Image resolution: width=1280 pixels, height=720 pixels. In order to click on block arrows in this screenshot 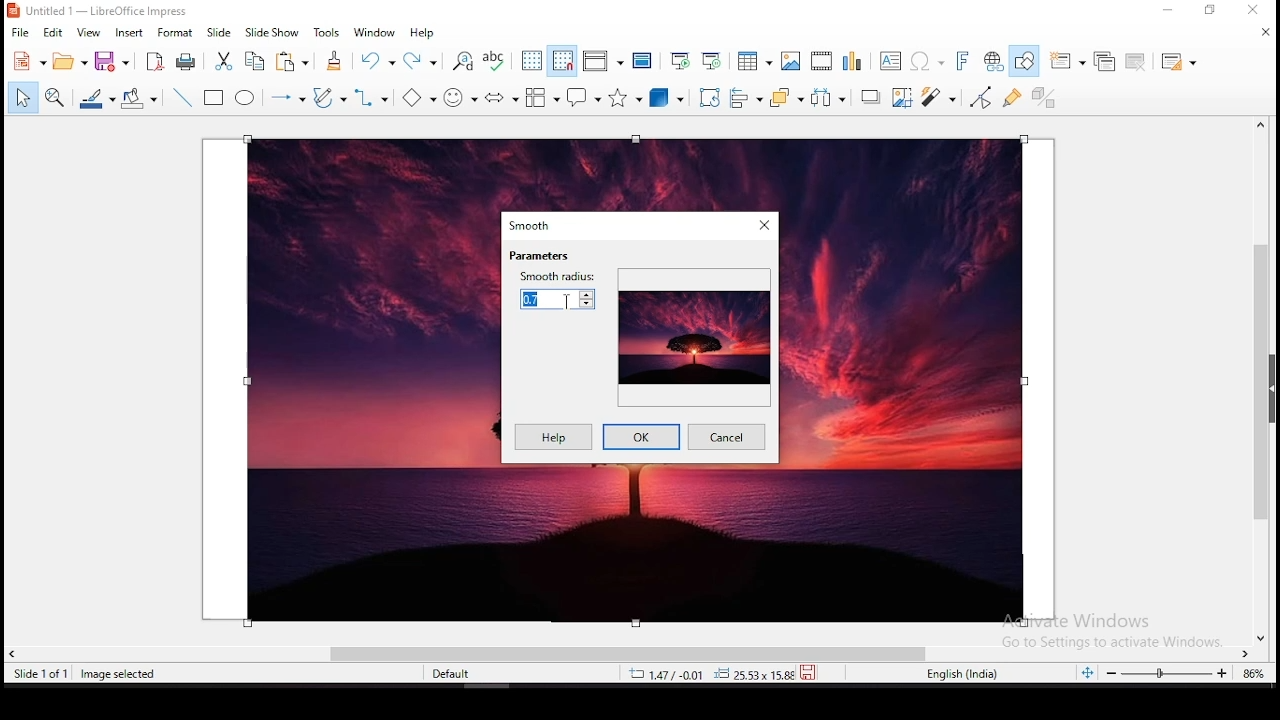, I will do `click(502, 97)`.